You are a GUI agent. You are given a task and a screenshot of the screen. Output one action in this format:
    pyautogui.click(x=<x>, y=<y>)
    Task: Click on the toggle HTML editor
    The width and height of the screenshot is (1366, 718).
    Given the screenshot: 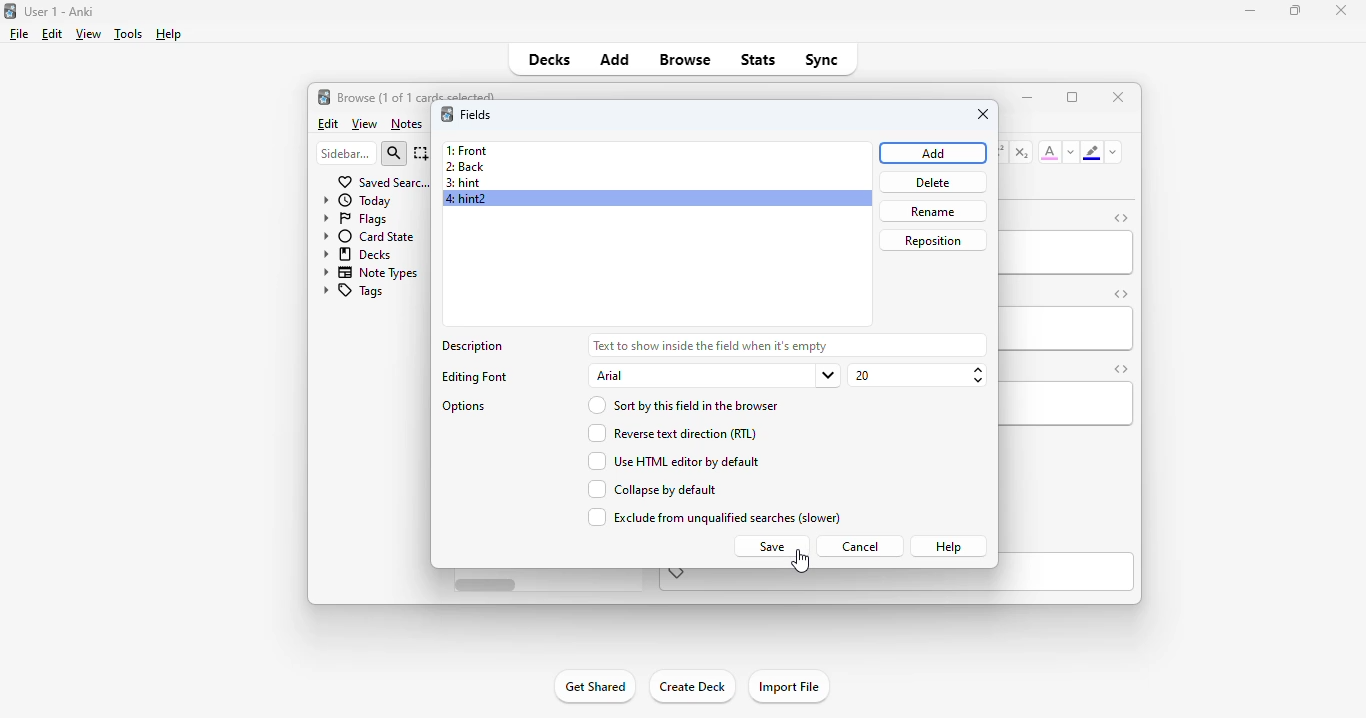 What is the action you would take?
    pyautogui.click(x=1122, y=218)
    